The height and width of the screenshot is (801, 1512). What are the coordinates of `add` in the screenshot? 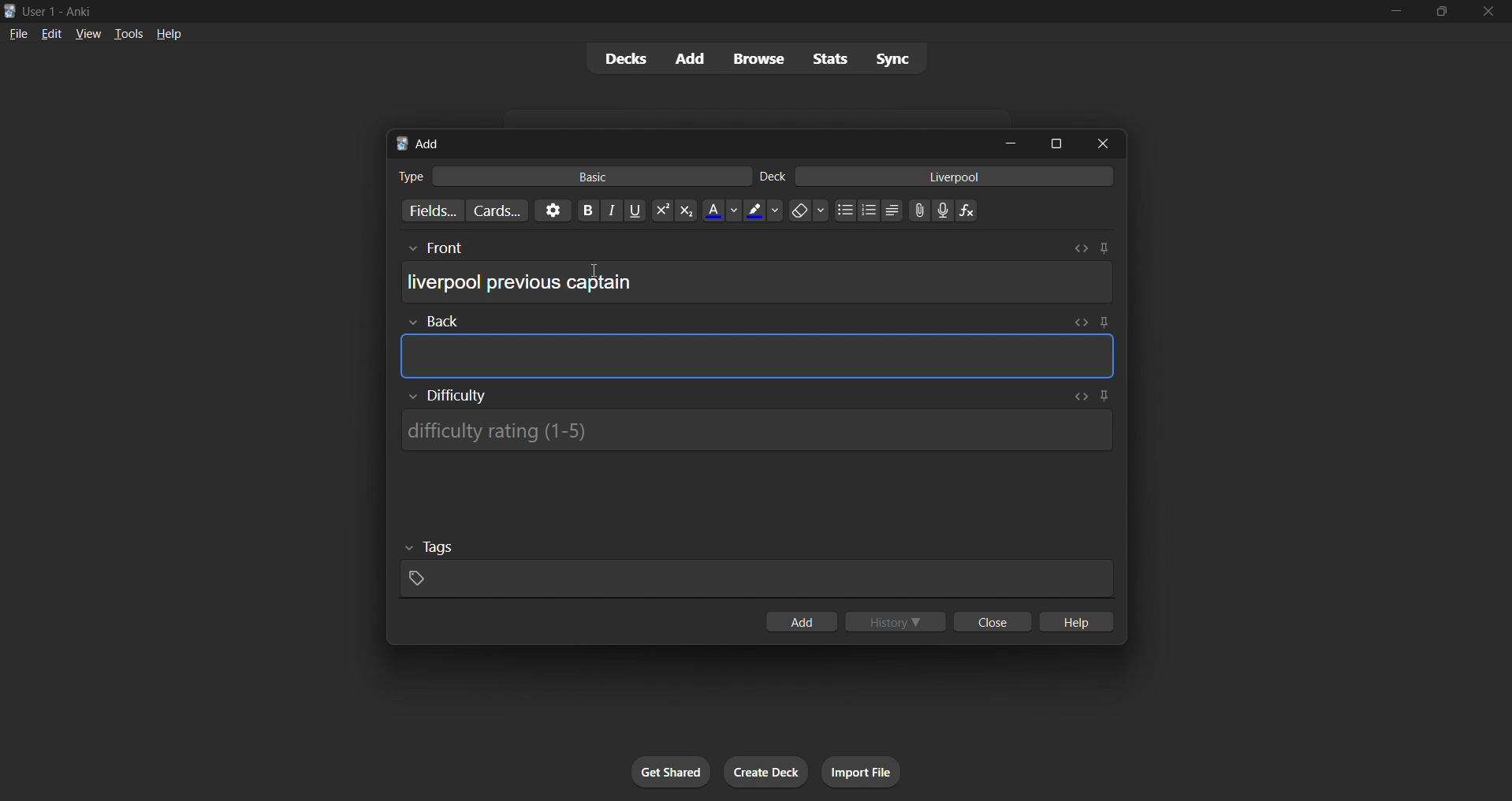 It's located at (799, 623).